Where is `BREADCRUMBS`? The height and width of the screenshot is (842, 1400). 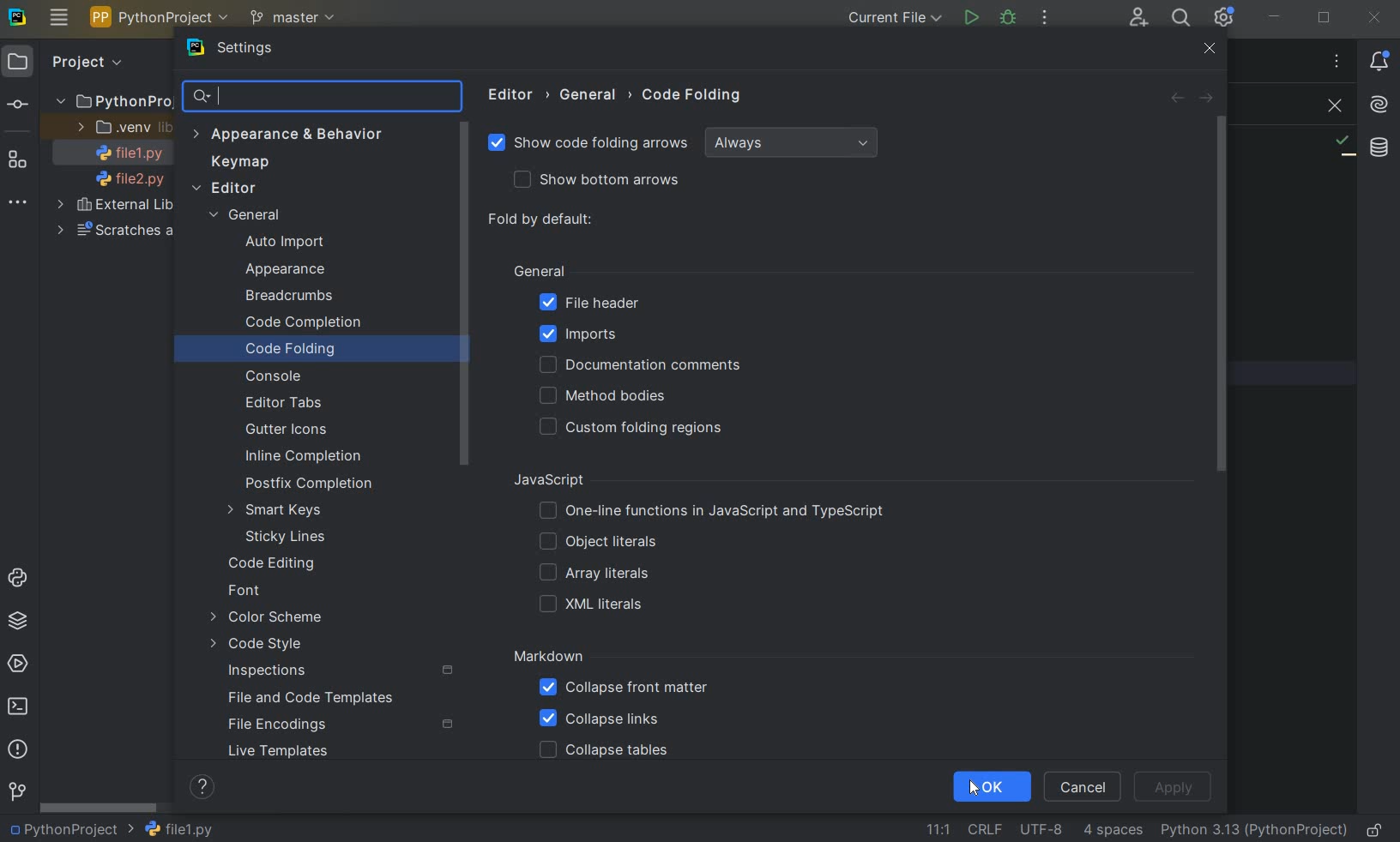
BREADCRUMBS is located at coordinates (306, 297).